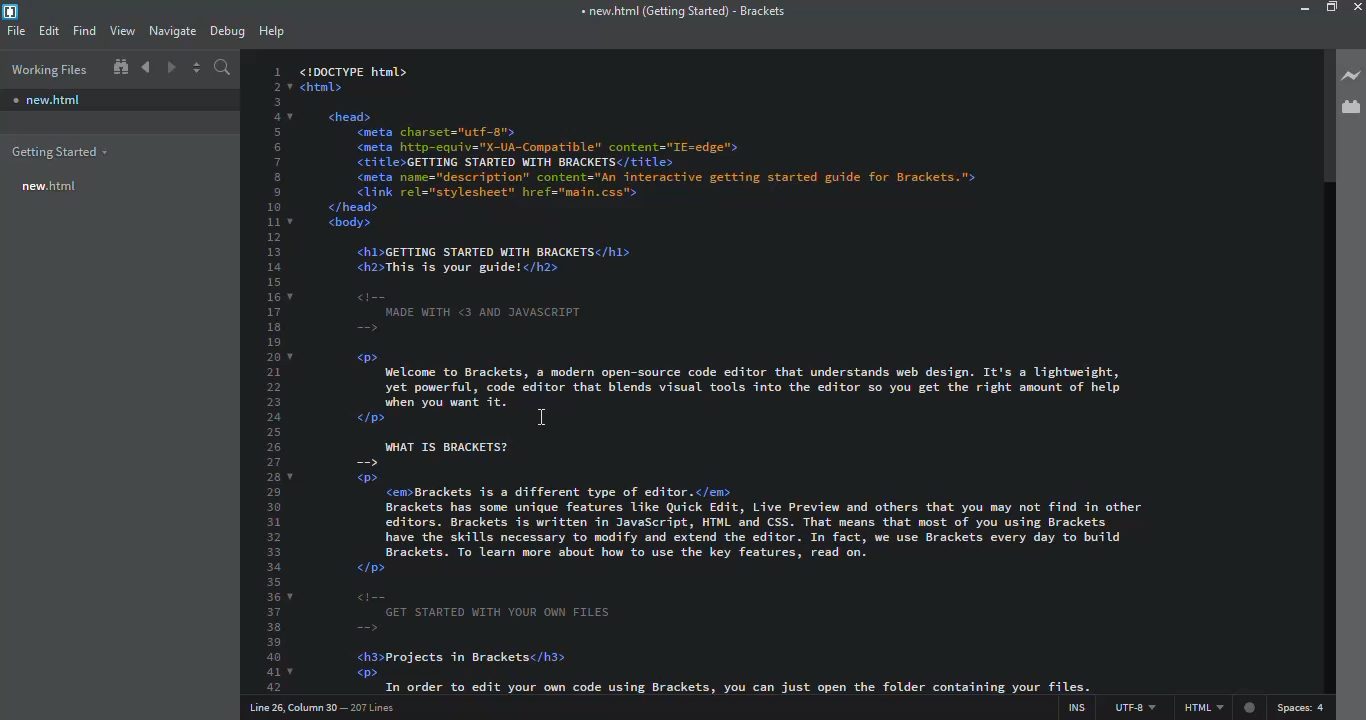 The height and width of the screenshot is (720, 1366). Describe the element at coordinates (1320, 113) in the screenshot. I see `scroll bar` at that location.